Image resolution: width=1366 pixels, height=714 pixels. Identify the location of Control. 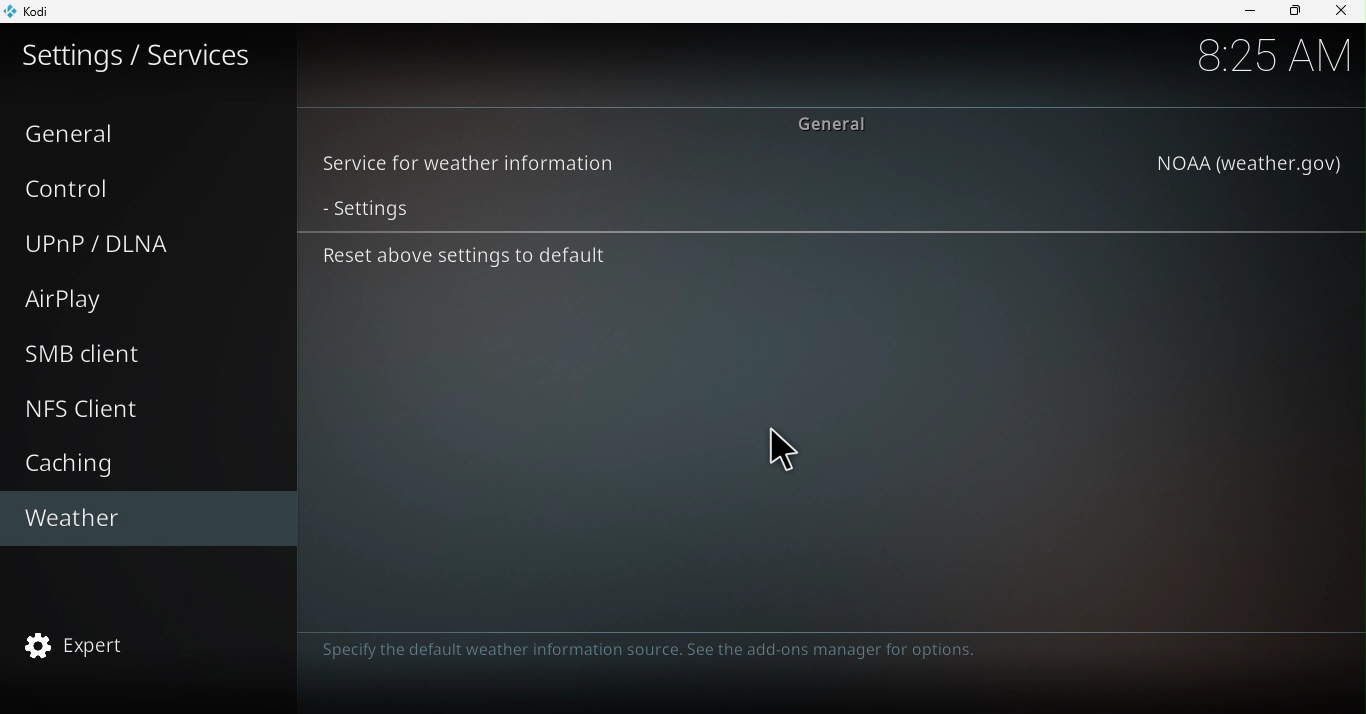
(145, 189).